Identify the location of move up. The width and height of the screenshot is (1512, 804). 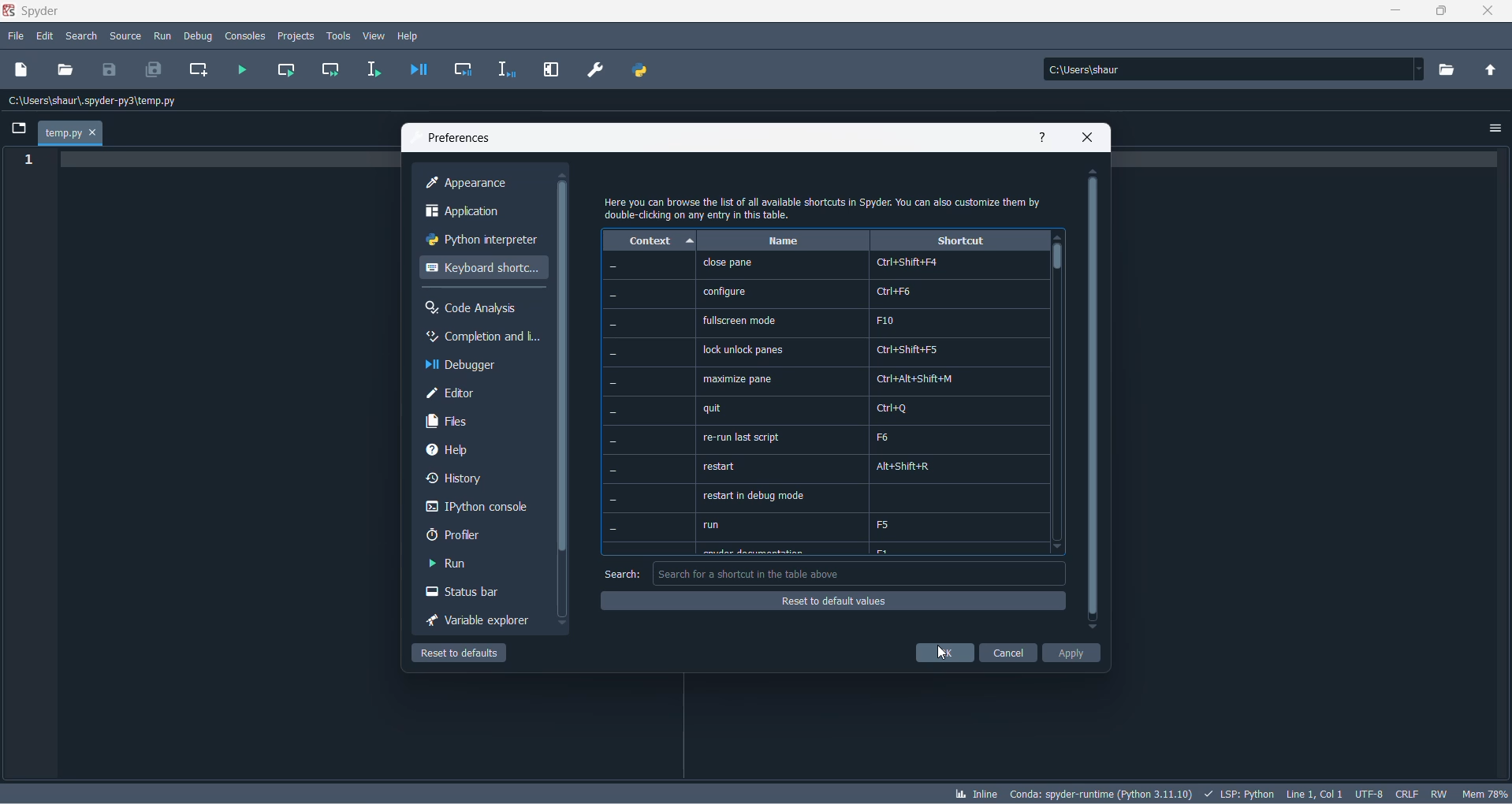
(1094, 172).